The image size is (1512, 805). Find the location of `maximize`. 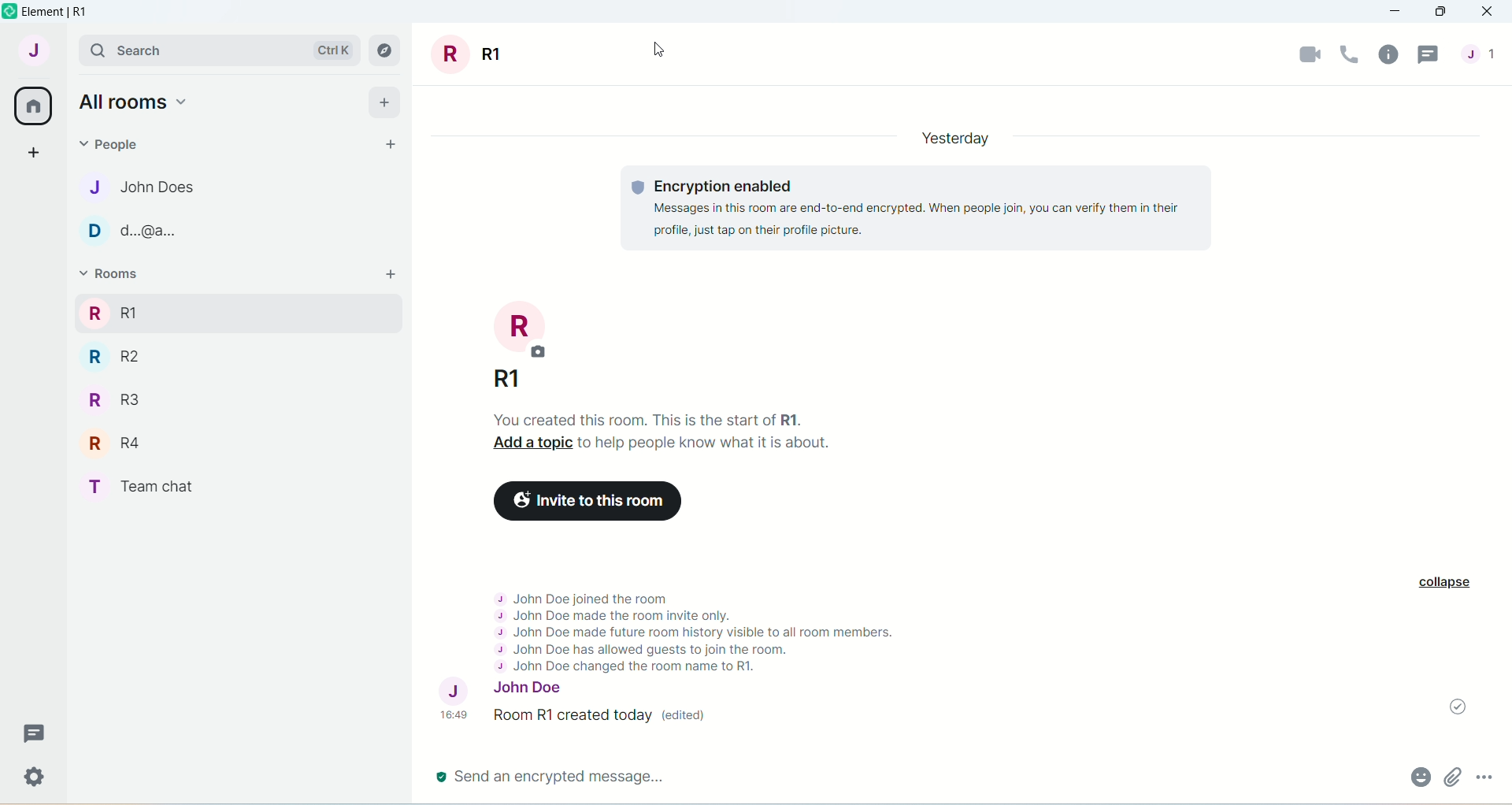

maximize is located at coordinates (1443, 11).